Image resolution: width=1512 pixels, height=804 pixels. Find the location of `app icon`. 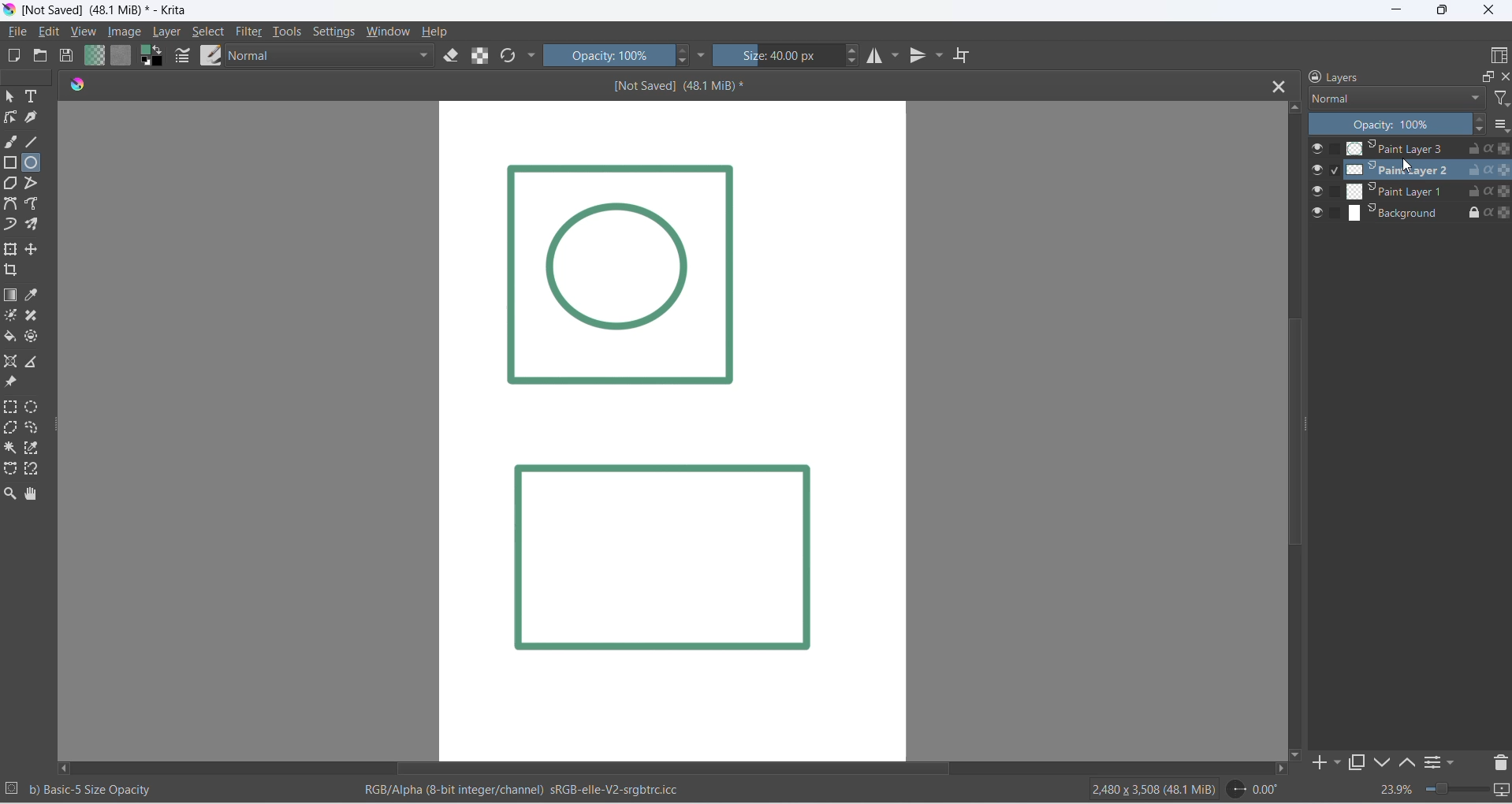

app icon is located at coordinates (10, 10).